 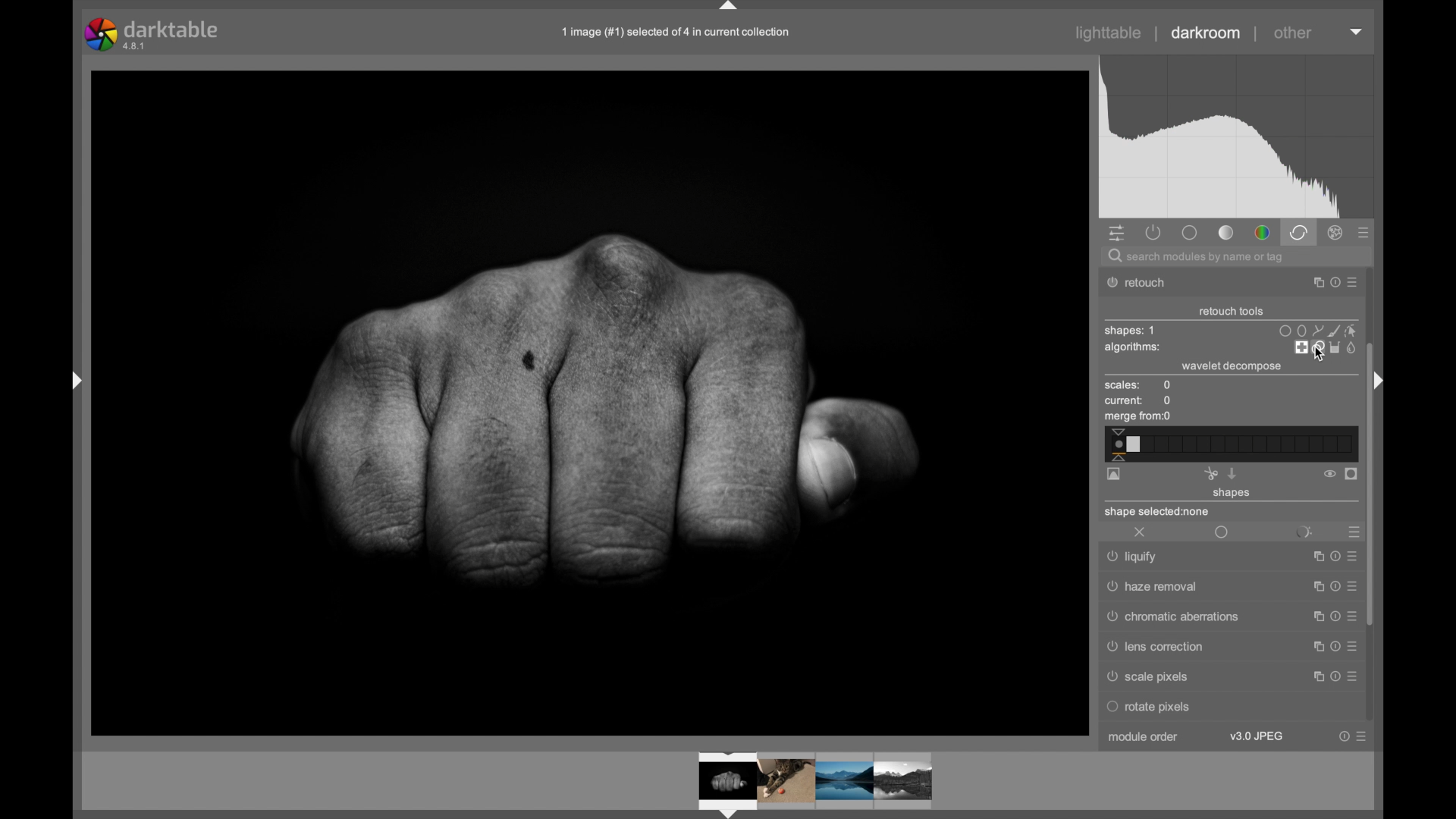 I want to click on maximize, so click(x=1314, y=646).